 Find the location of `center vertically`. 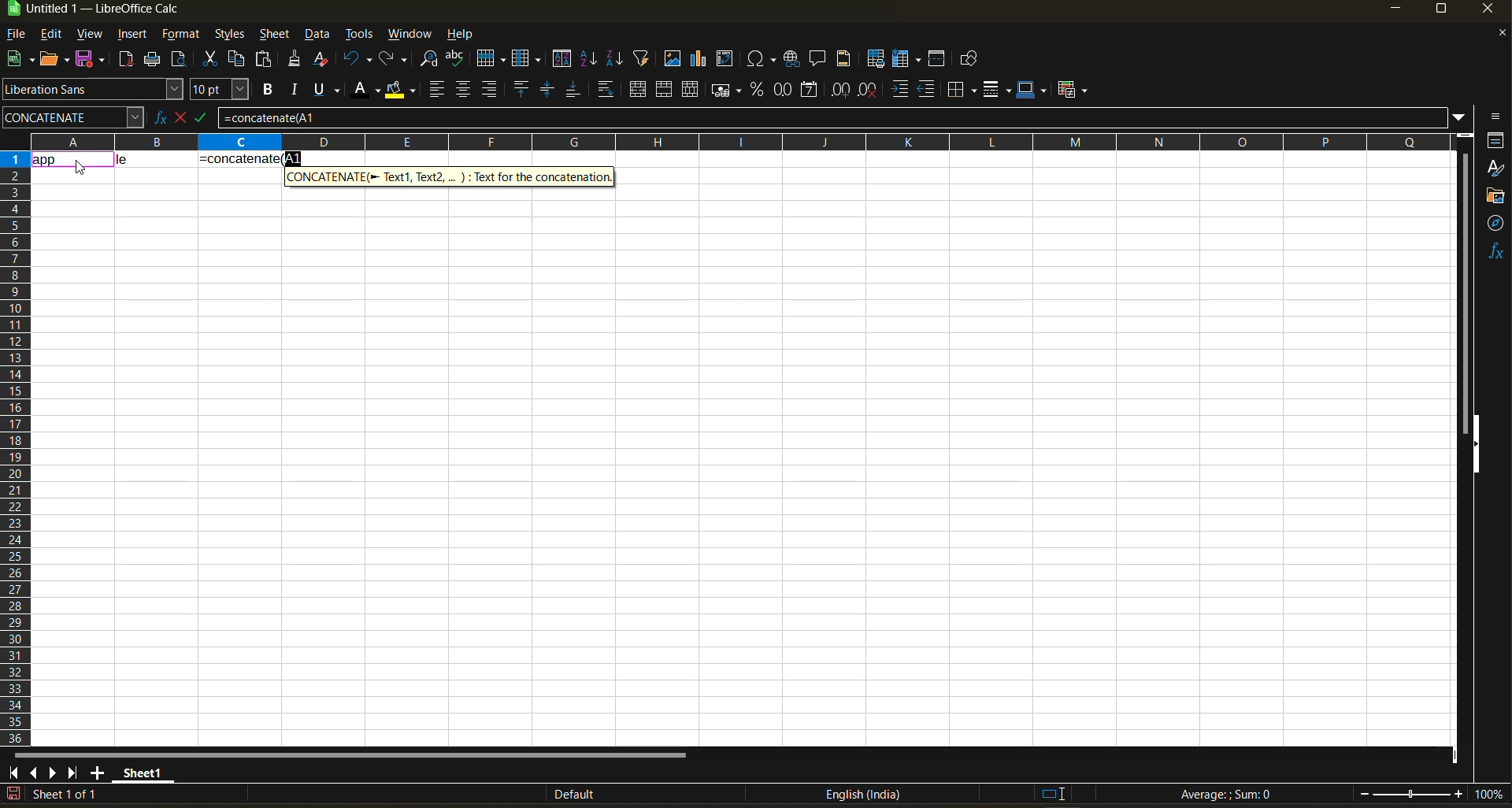

center vertically is located at coordinates (547, 90).